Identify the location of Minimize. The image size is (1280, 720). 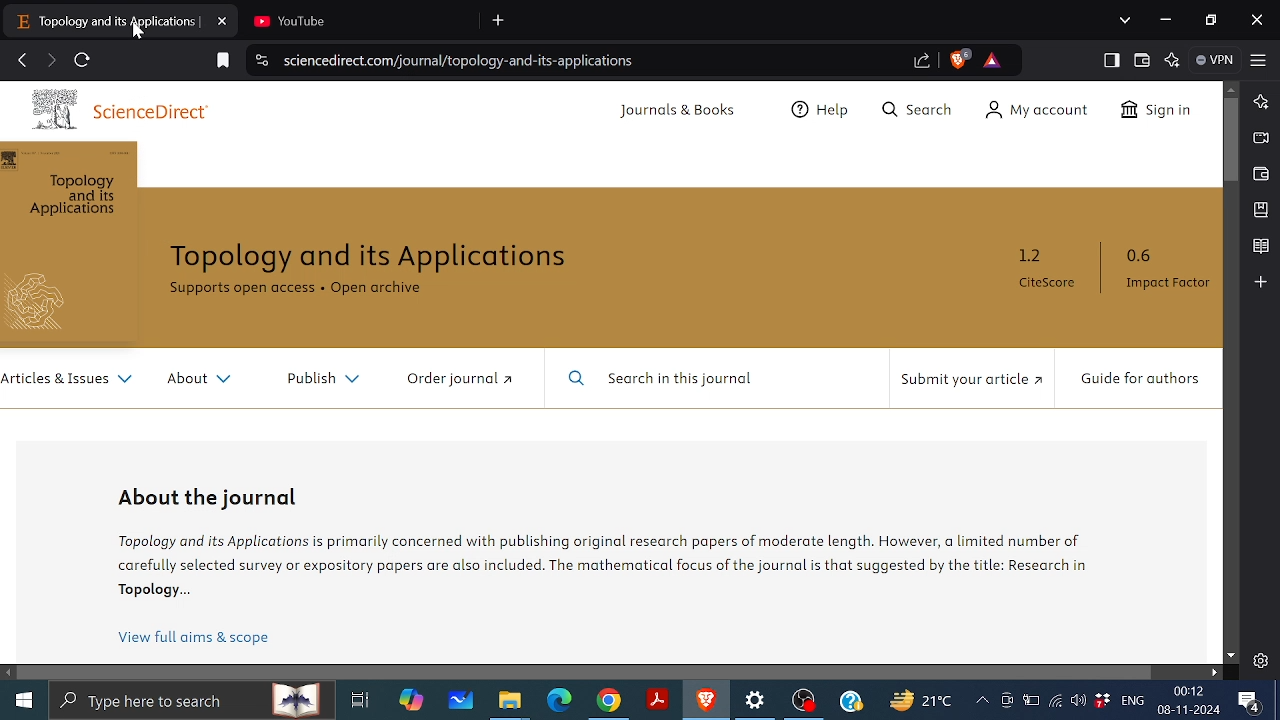
(1164, 18).